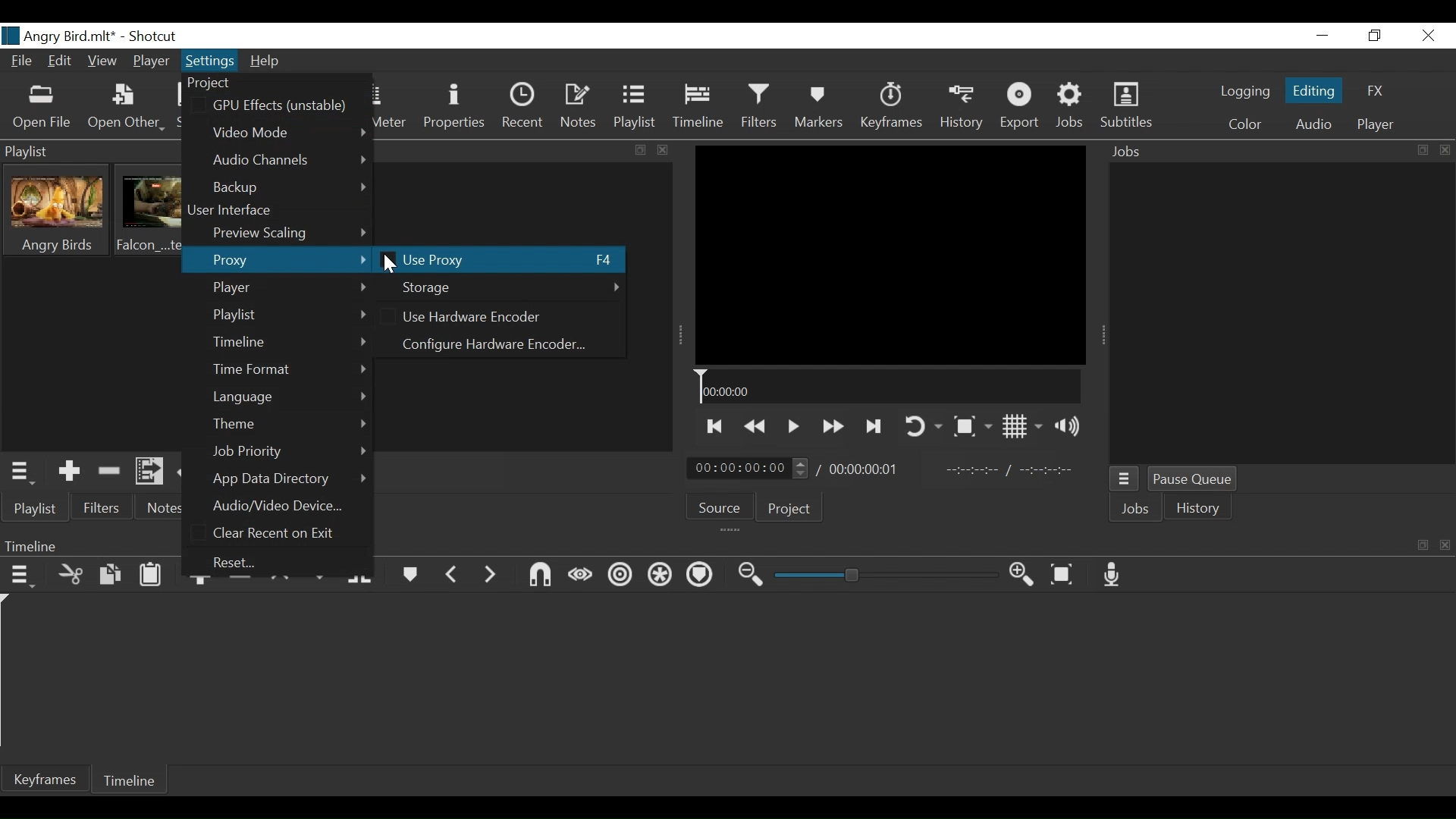  I want to click on Remove cut, so click(106, 469).